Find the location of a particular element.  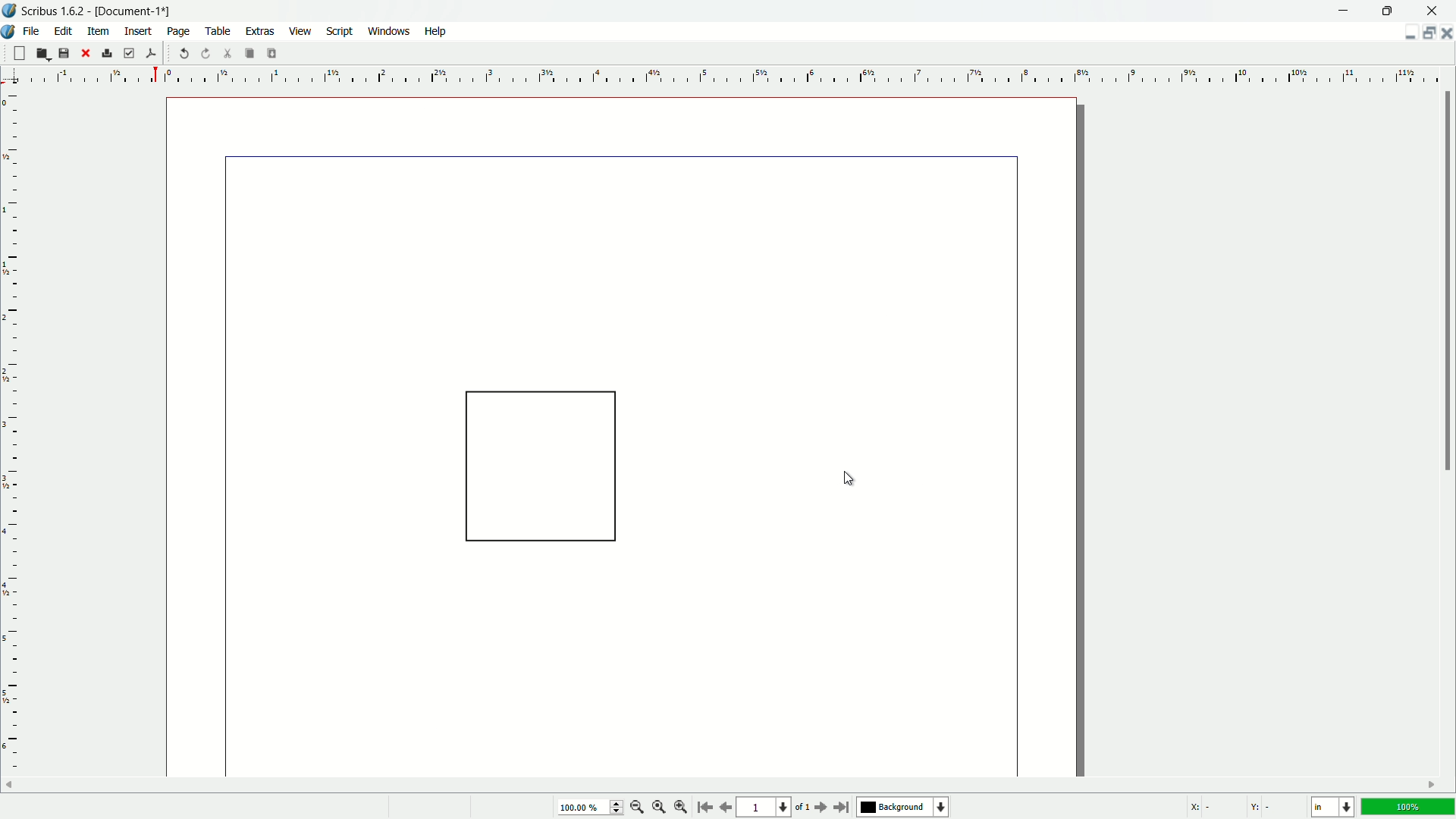

go to start page is located at coordinates (701, 806).